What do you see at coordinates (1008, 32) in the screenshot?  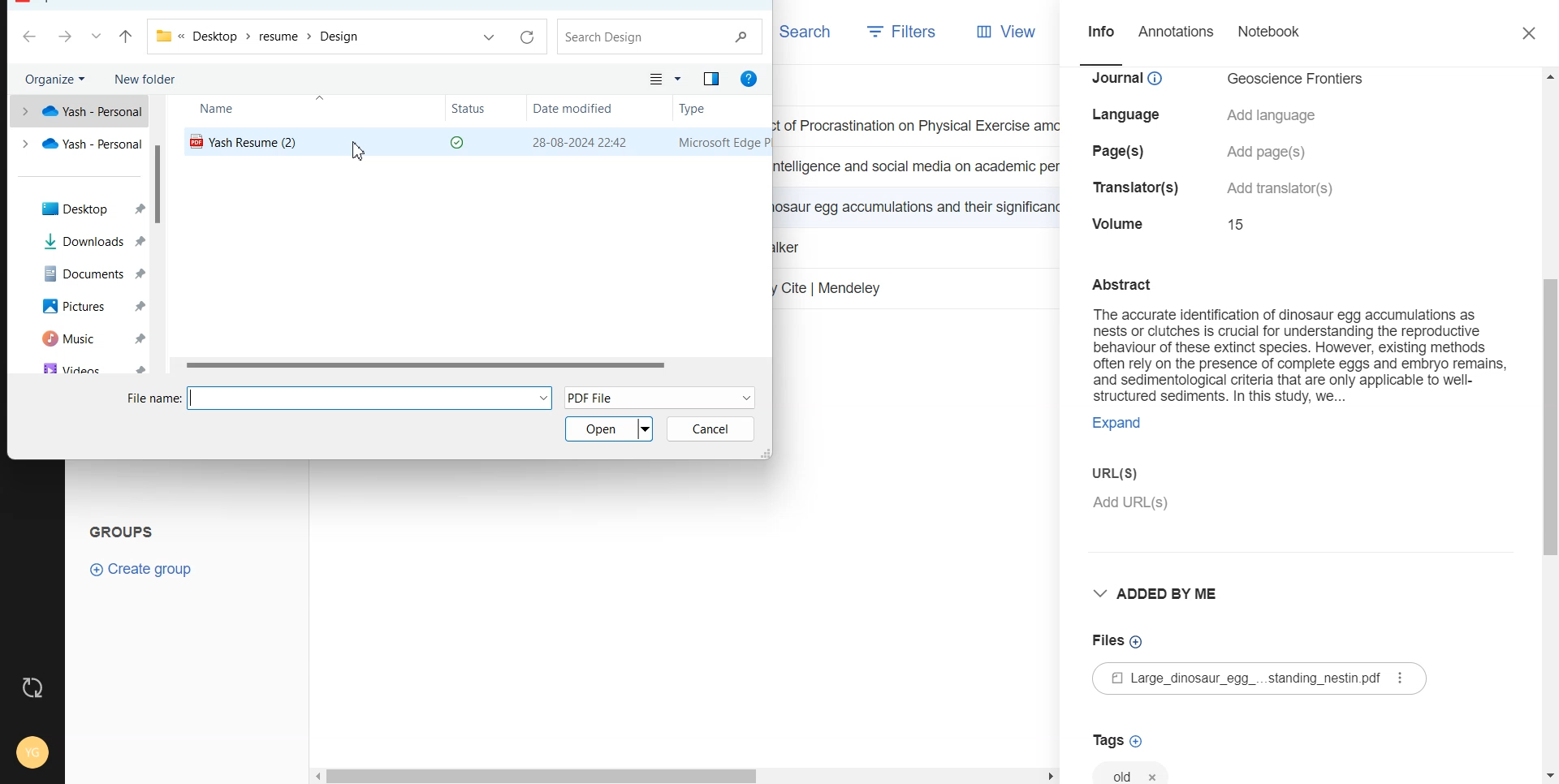 I see `View` at bounding box center [1008, 32].